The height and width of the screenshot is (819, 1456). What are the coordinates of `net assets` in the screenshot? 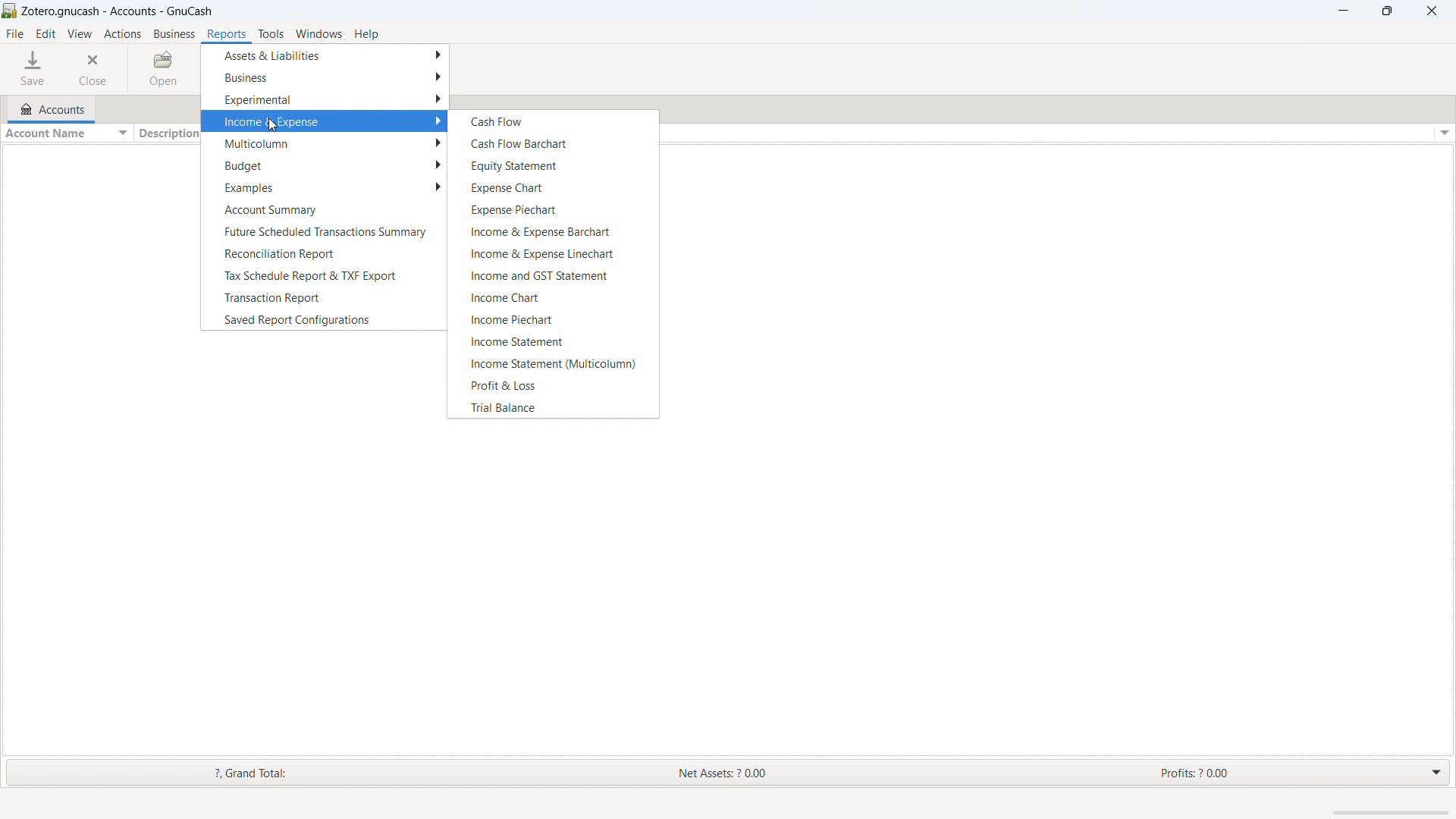 It's located at (757, 773).